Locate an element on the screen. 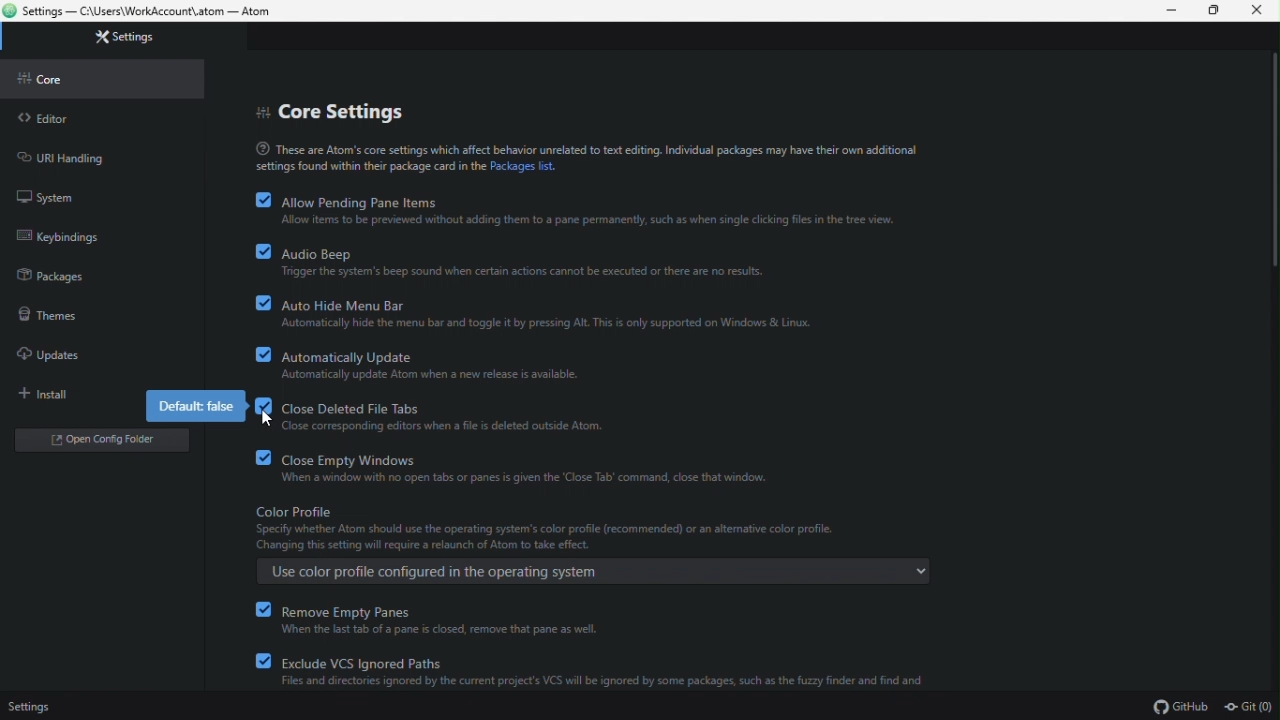 This screenshot has width=1280, height=720. URL handling is located at coordinates (60, 160).